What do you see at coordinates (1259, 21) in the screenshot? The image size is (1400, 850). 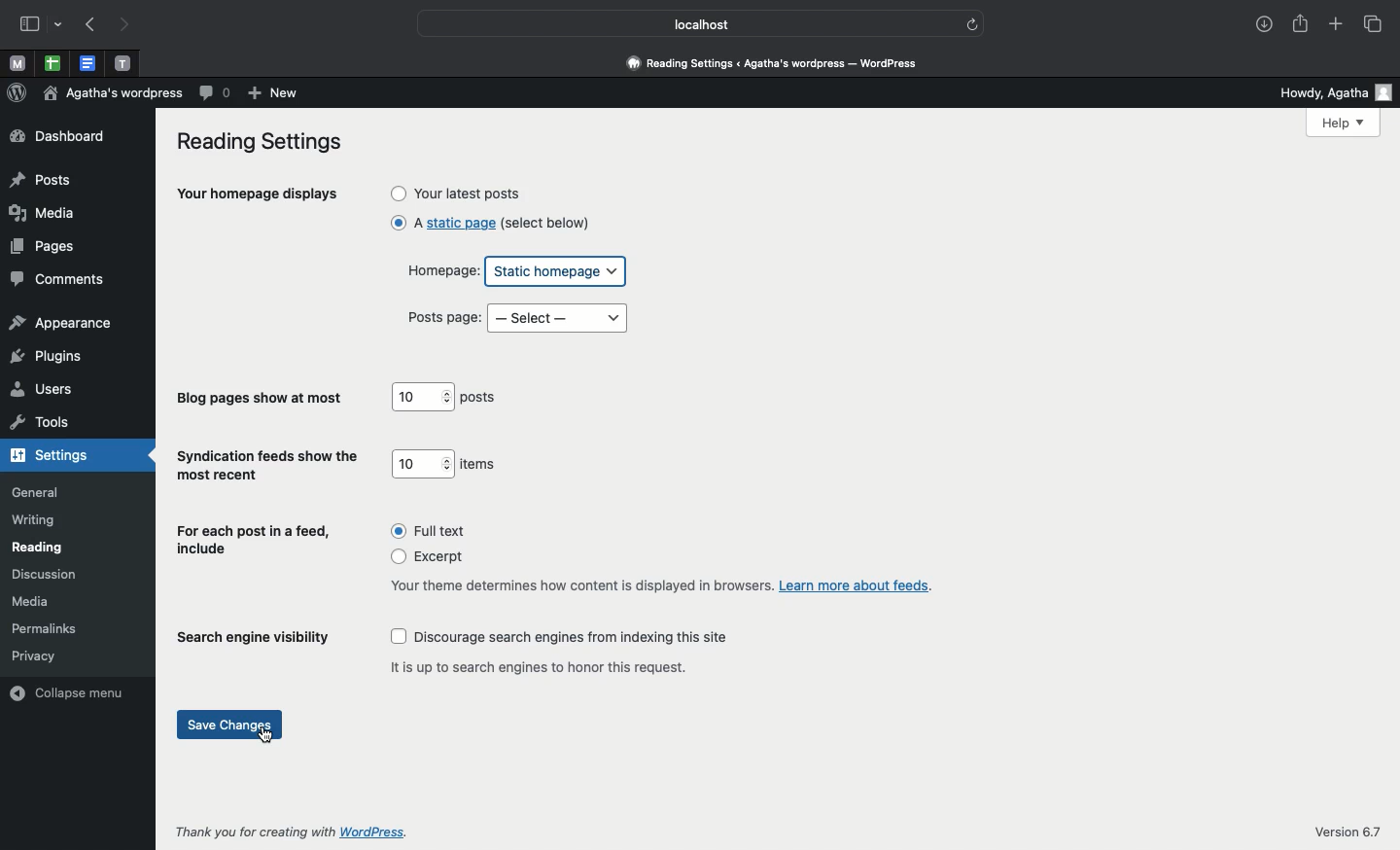 I see `Download` at bounding box center [1259, 21].